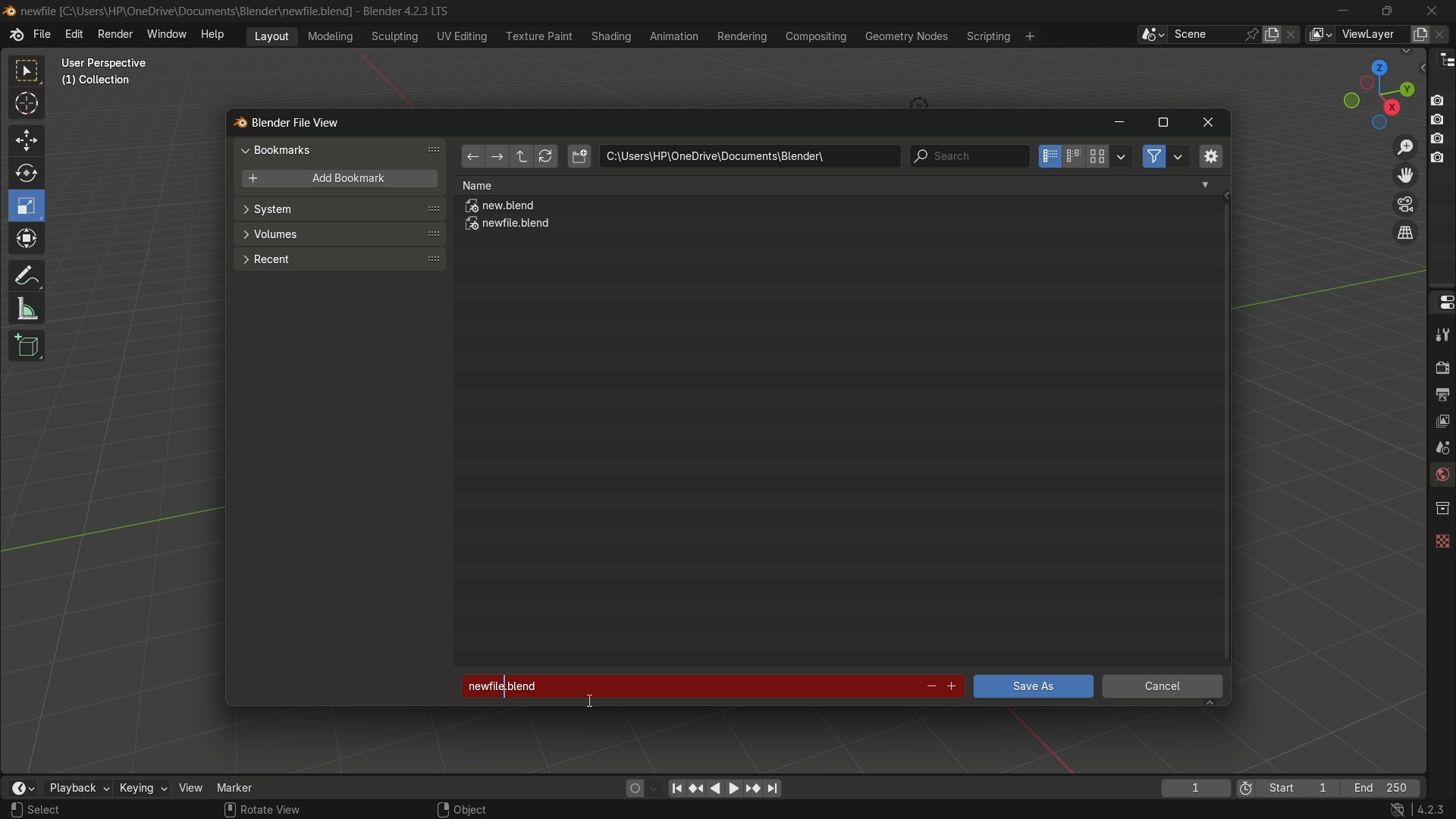  I want to click on cursor, so click(27, 106).